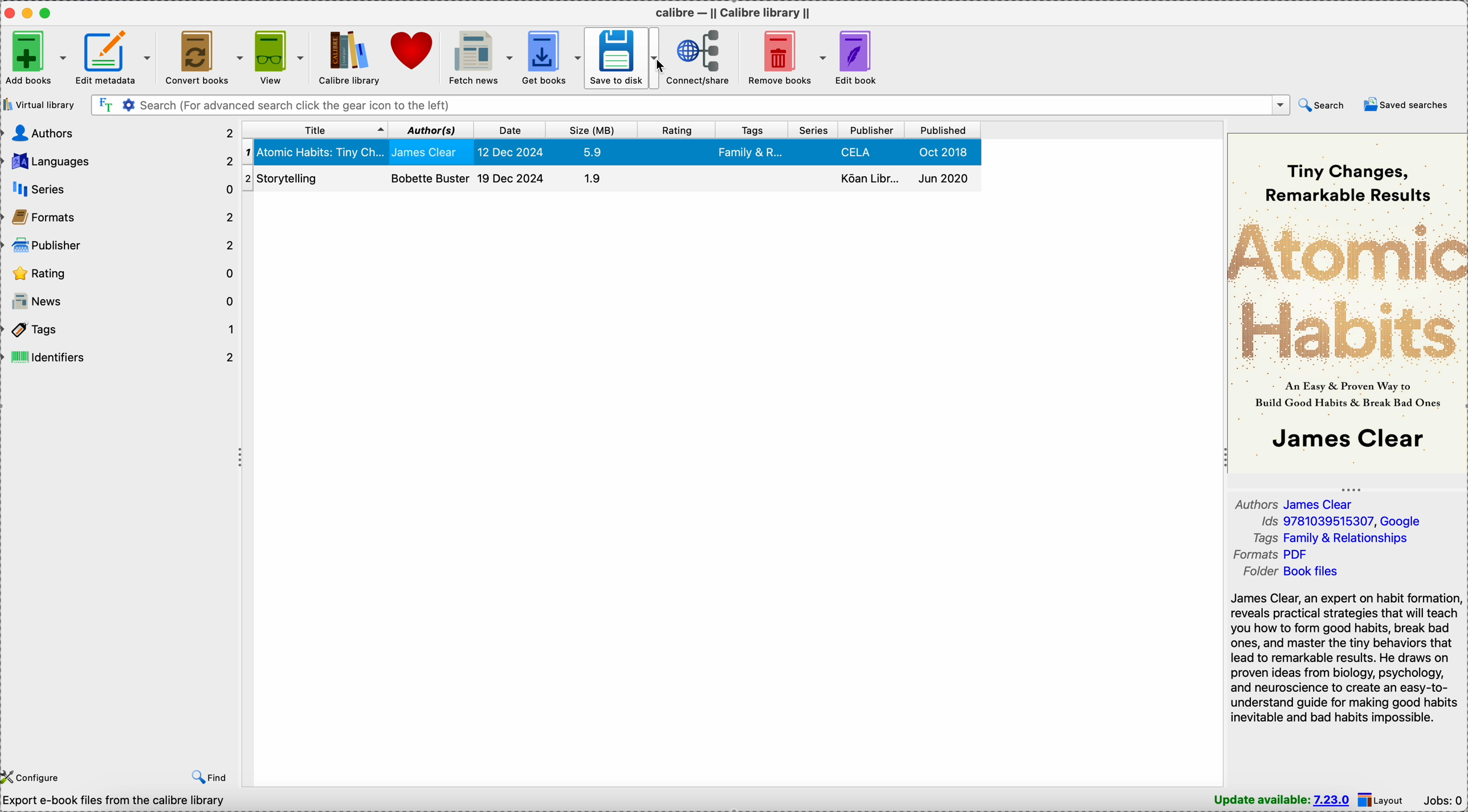 The height and width of the screenshot is (812, 1468). Describe the element at coordinates (861, 55) in the screenshot. I see `edit book` at that location.